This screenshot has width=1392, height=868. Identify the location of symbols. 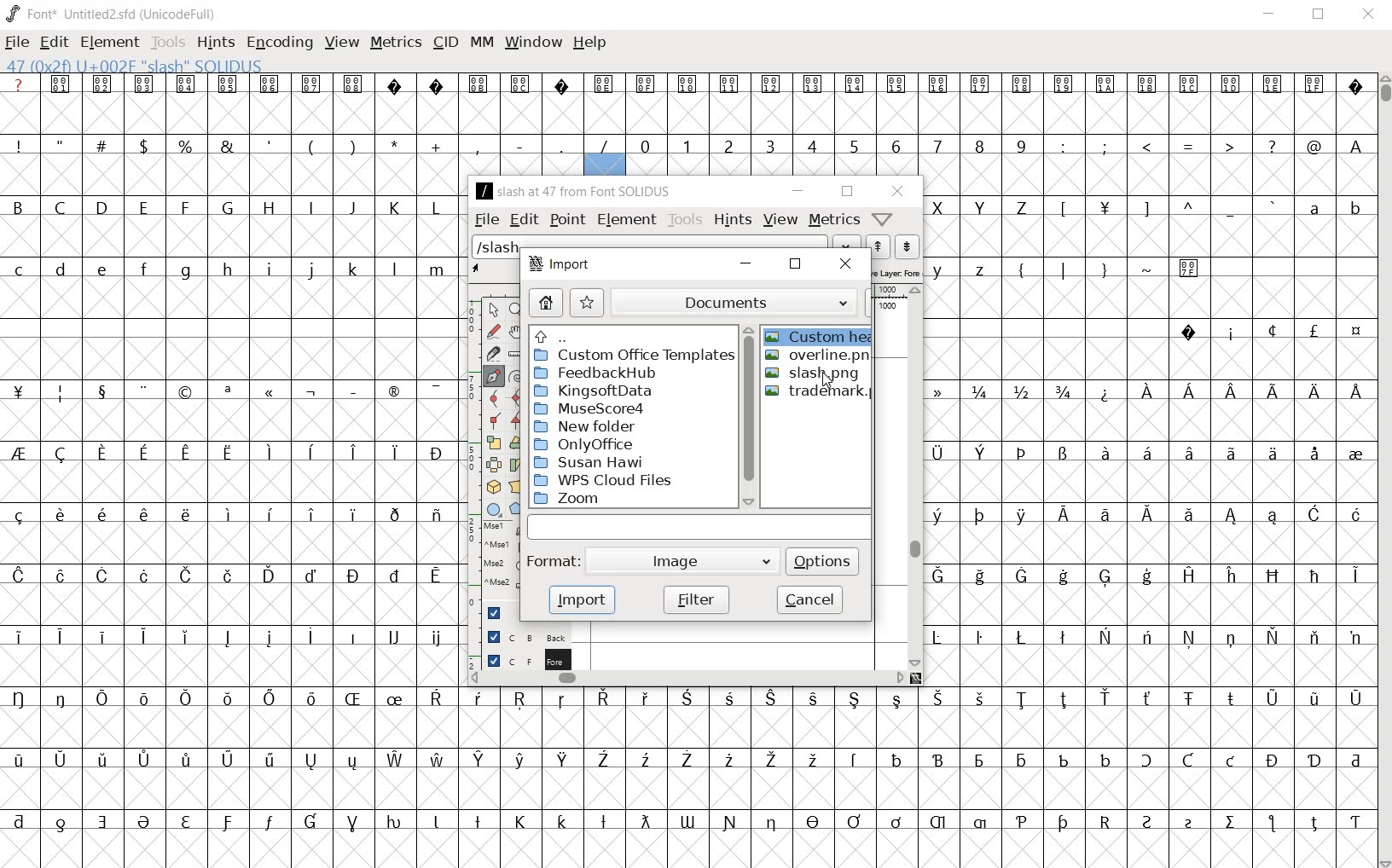
(1163, 208).